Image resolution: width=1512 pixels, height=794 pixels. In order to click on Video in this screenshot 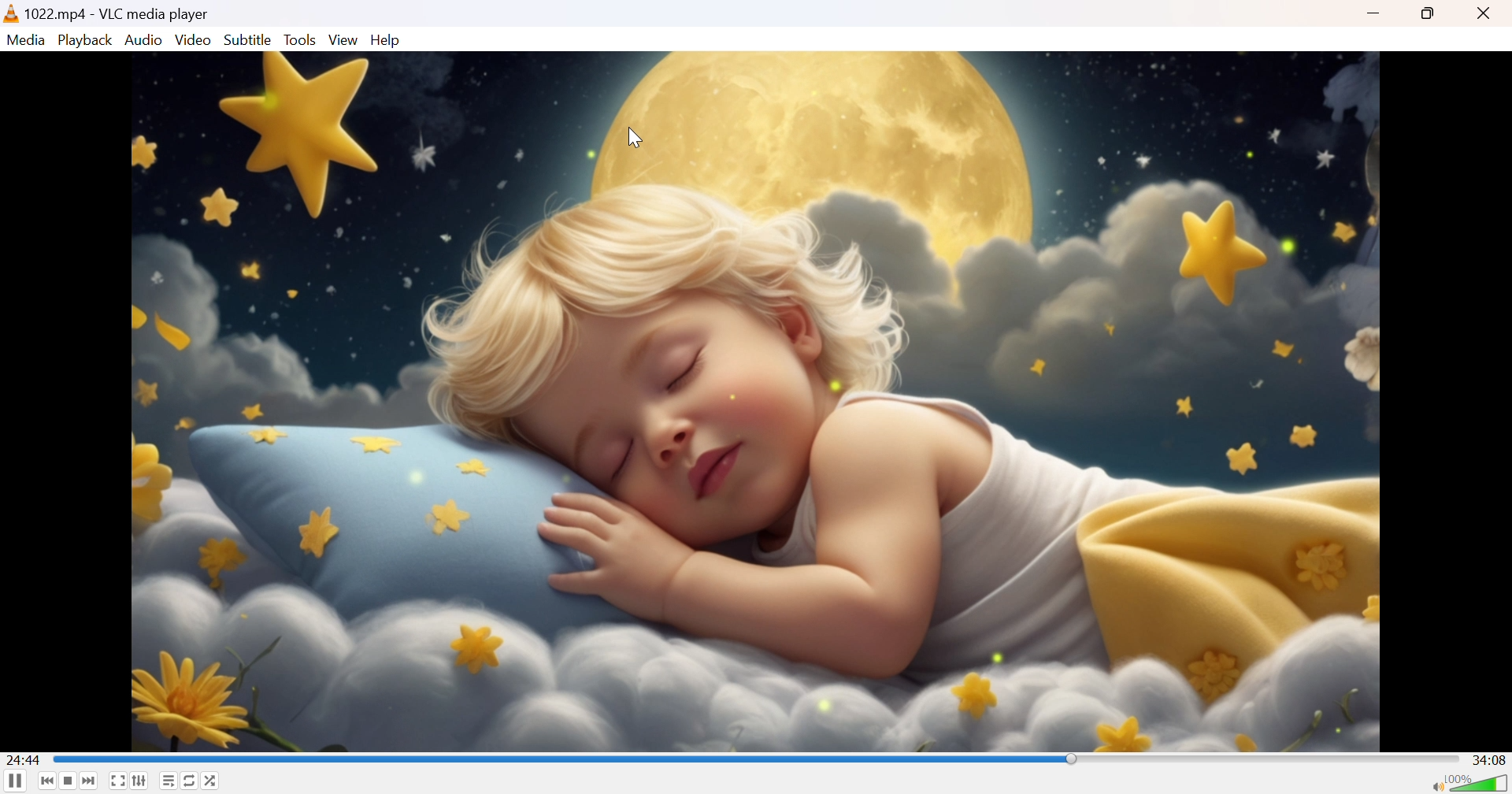, I will do `click(193, 40)`.